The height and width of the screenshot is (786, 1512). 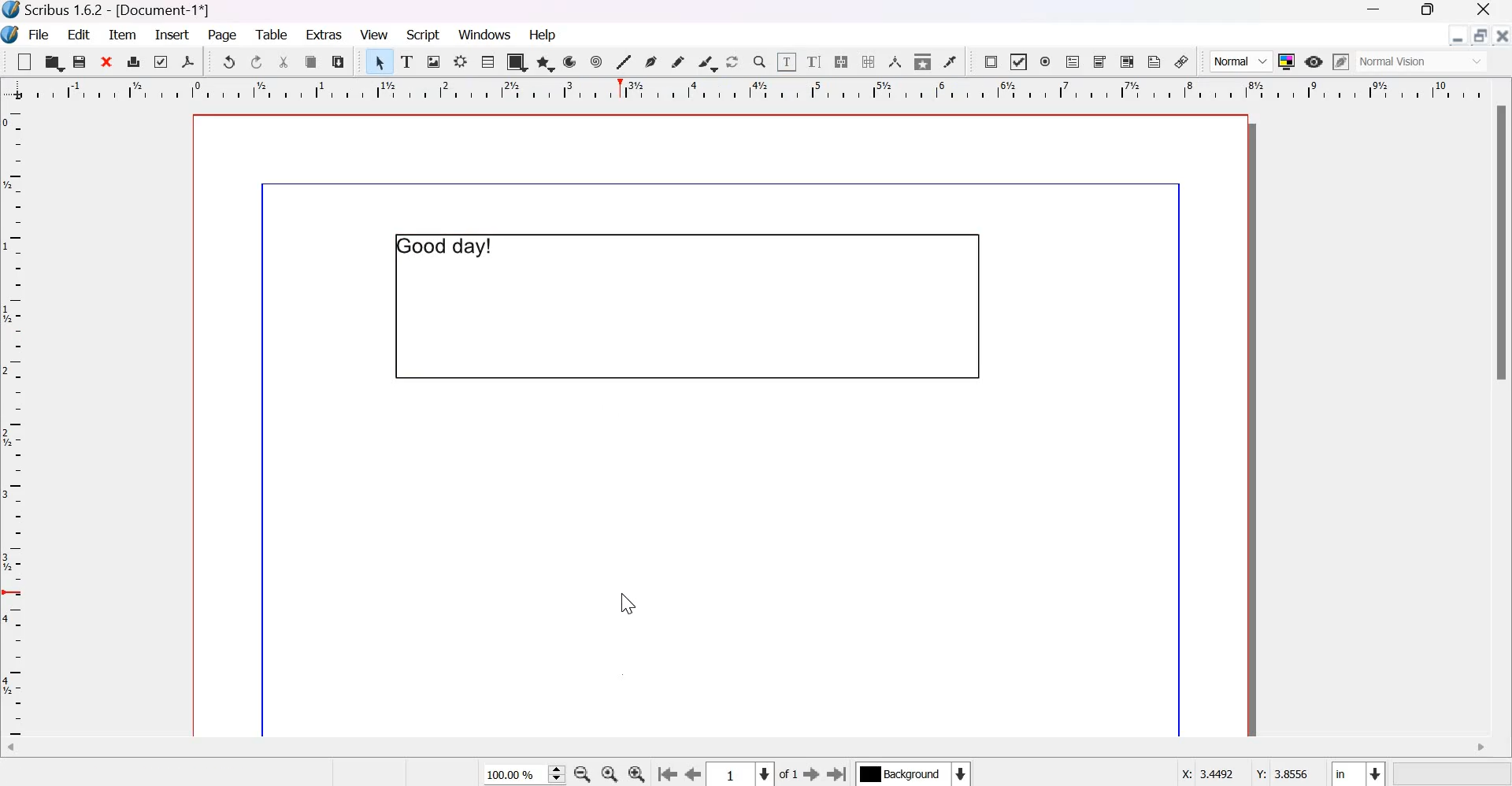 What do you see at coordinates (24, 61) in the screenshot?
I see `new` at bounding box center [24, 61].